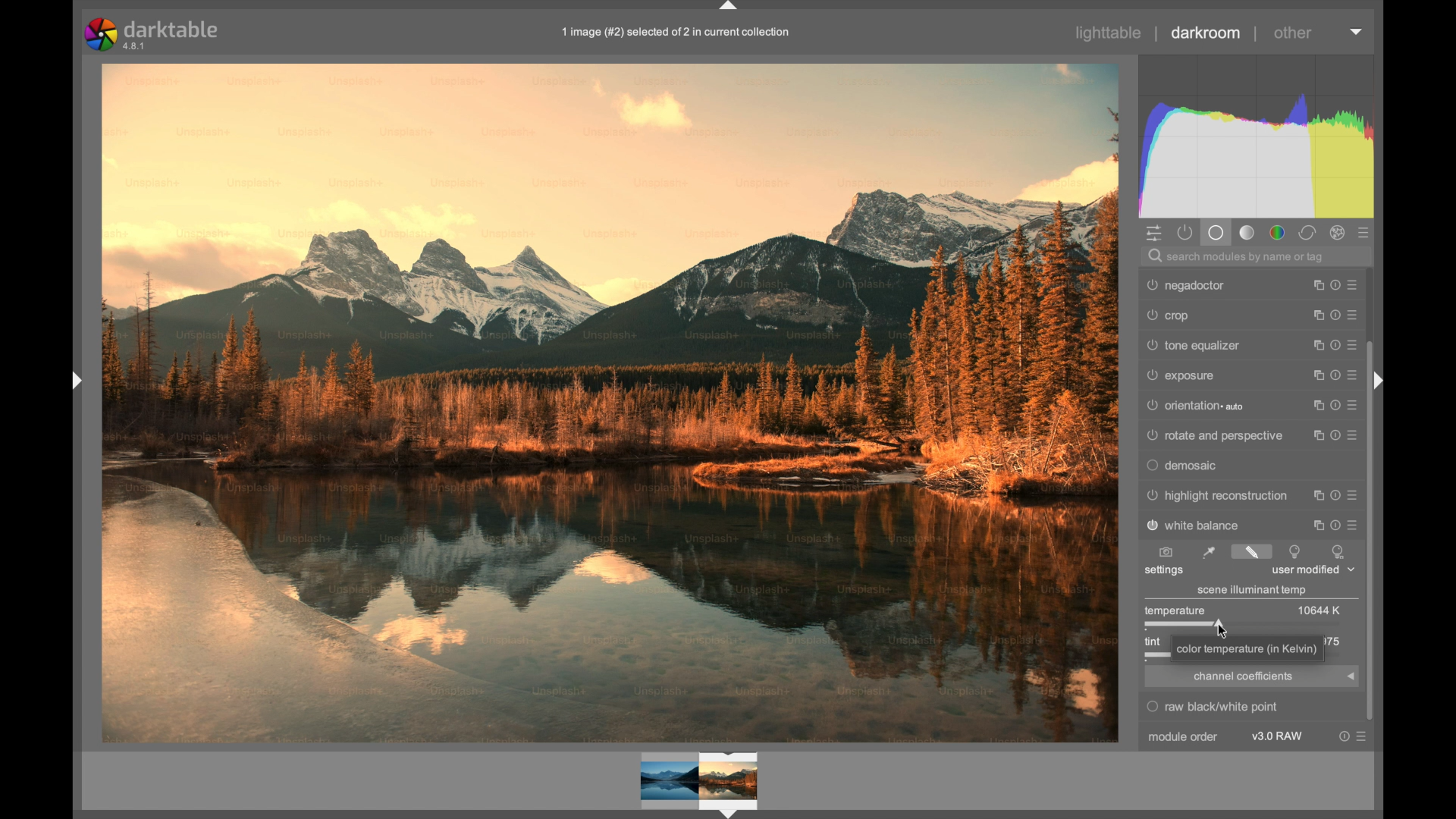  What do you see at coordinates (1248, 648) in the screenshot?
I see `color temperature (in Kelvin)` at bounding box center [1248, 648].